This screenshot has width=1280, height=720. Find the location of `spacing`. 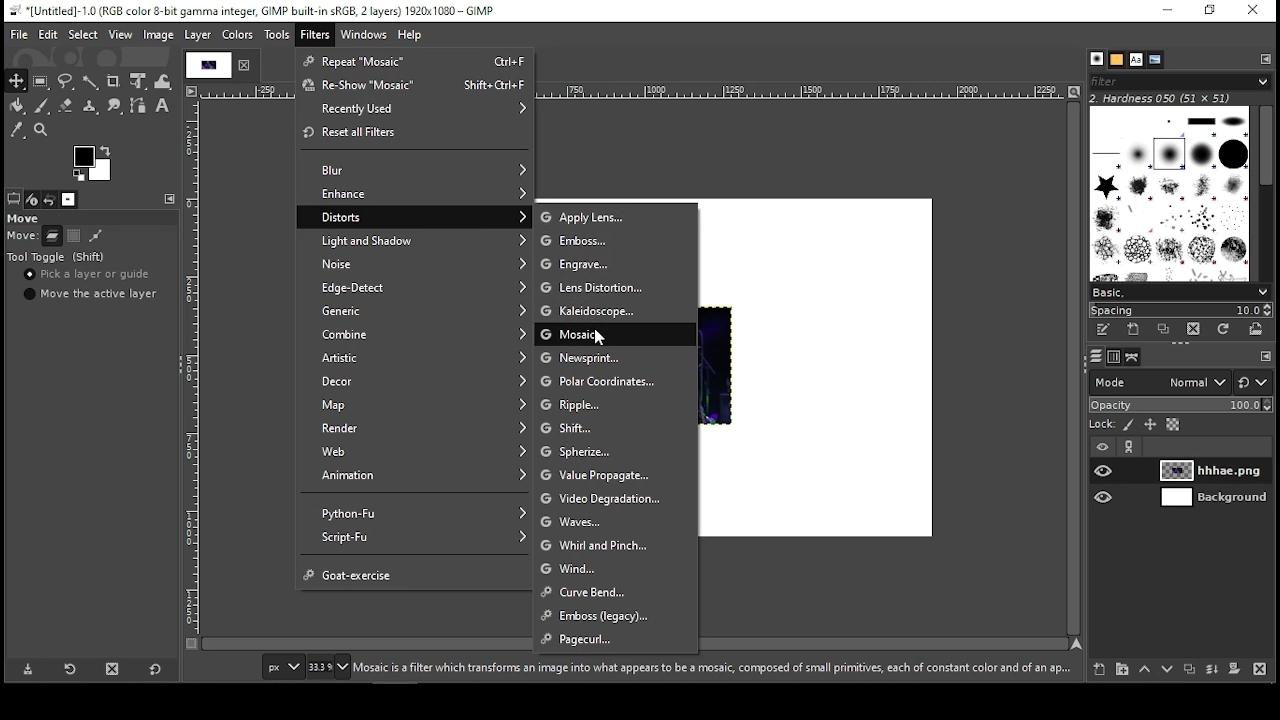

spacing is located at coordinates (1179, 310).